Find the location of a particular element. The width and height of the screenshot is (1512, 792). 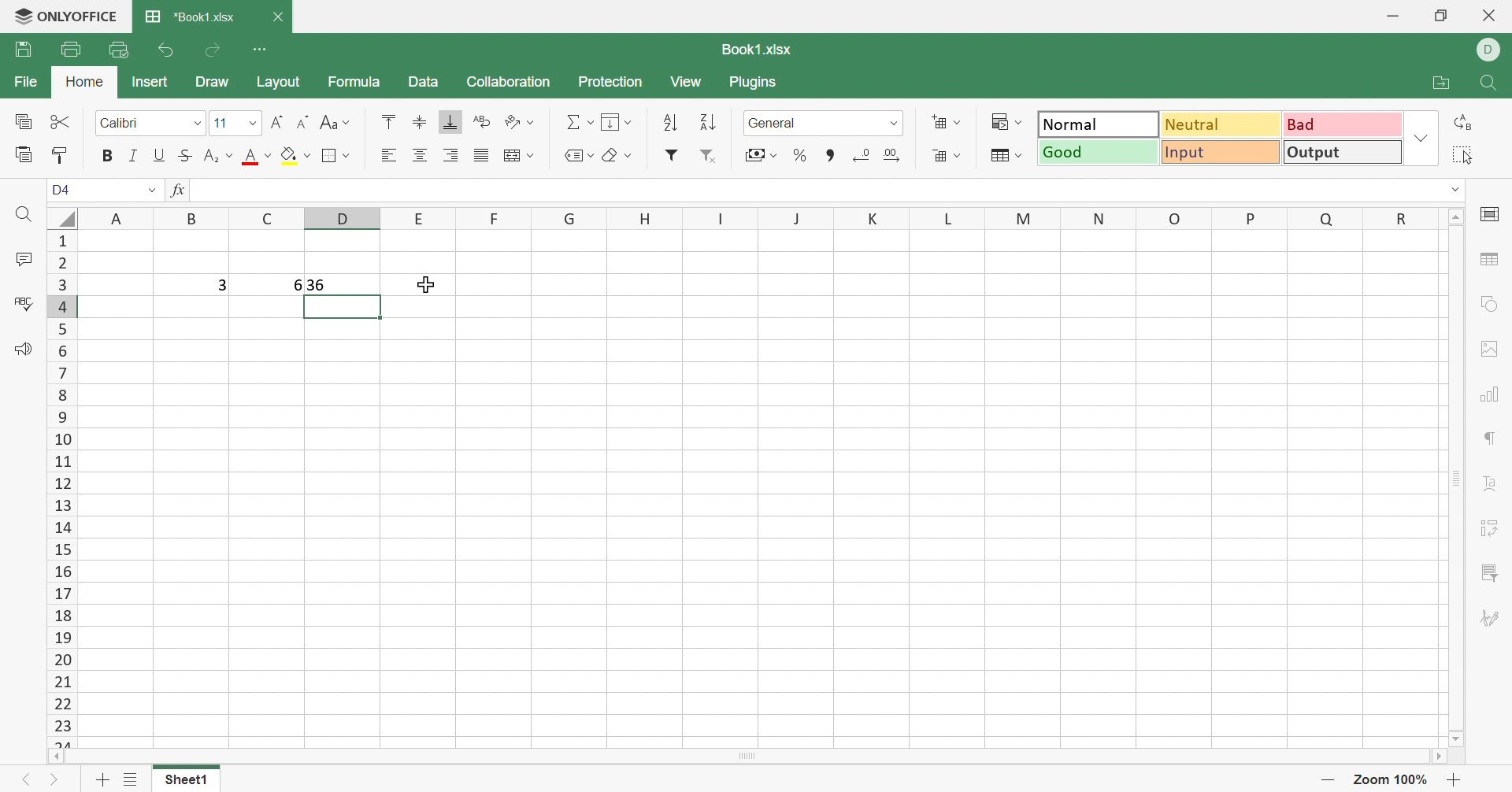

Spell checking is located at coordinates (26, 305).